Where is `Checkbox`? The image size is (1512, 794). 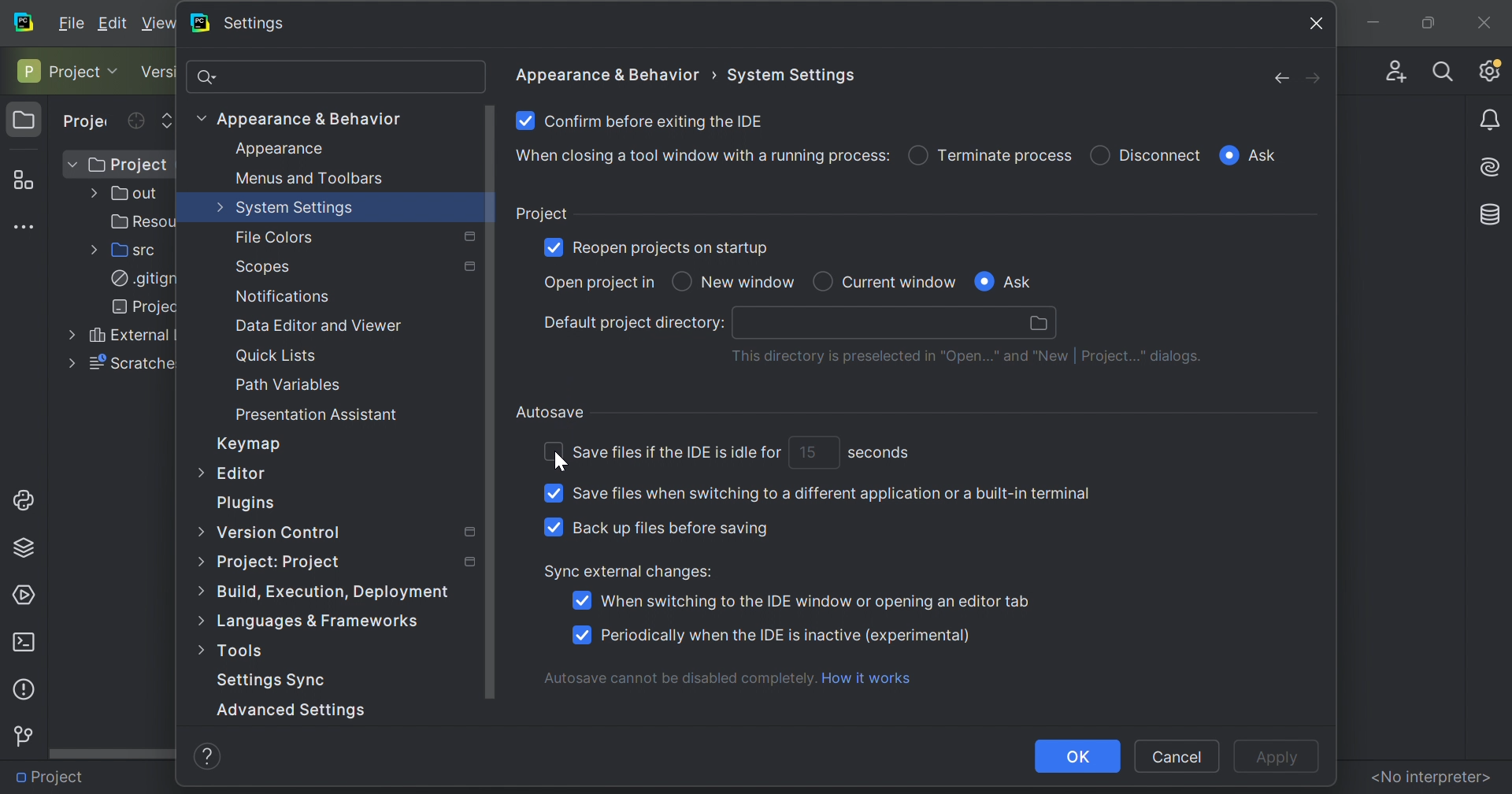 Checkbox is located at coordinates (553, 493).